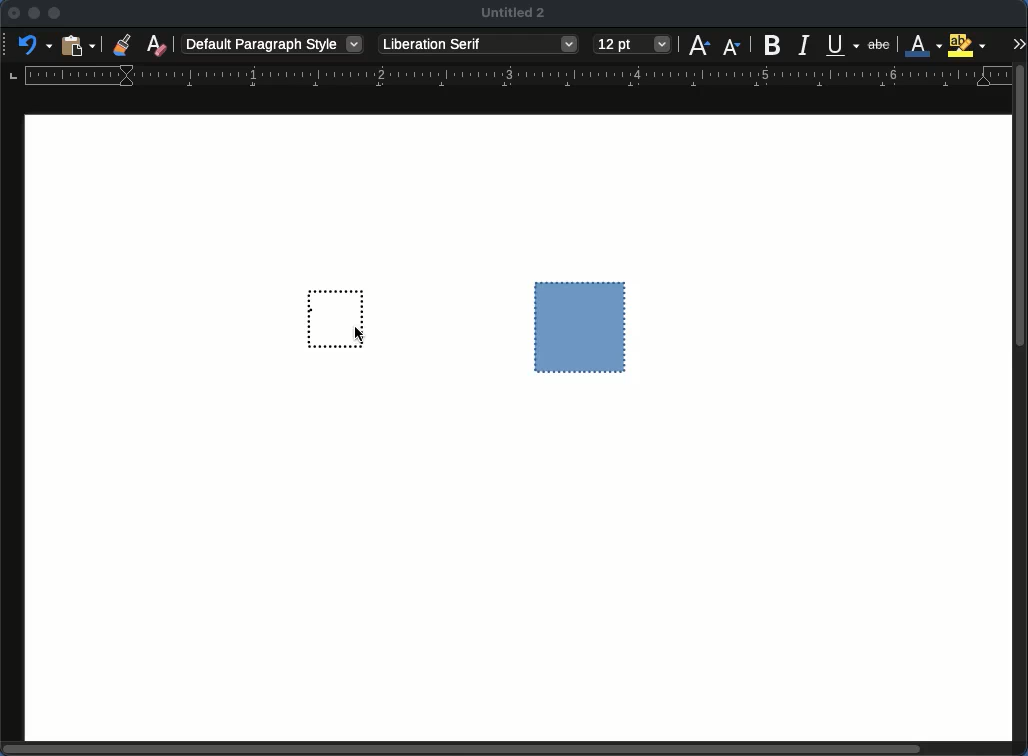 Image resolution: width=1028 pixels, height=756 pixels. Describe the element at coordinates (158, 44) in the screenshot. I see `clear formatting` at that location.